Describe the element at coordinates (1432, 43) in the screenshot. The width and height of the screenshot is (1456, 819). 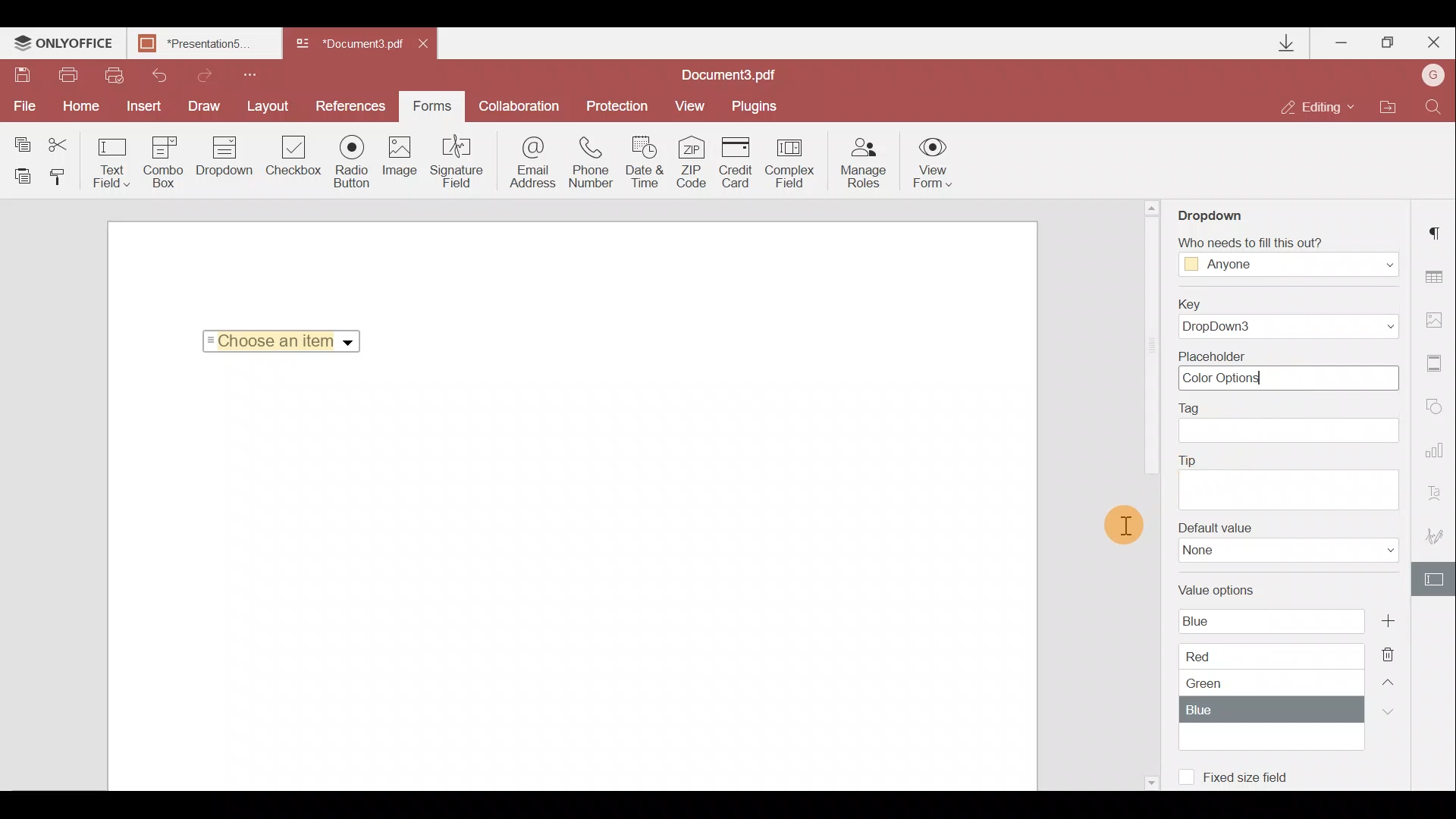
I see `Close` at that location.